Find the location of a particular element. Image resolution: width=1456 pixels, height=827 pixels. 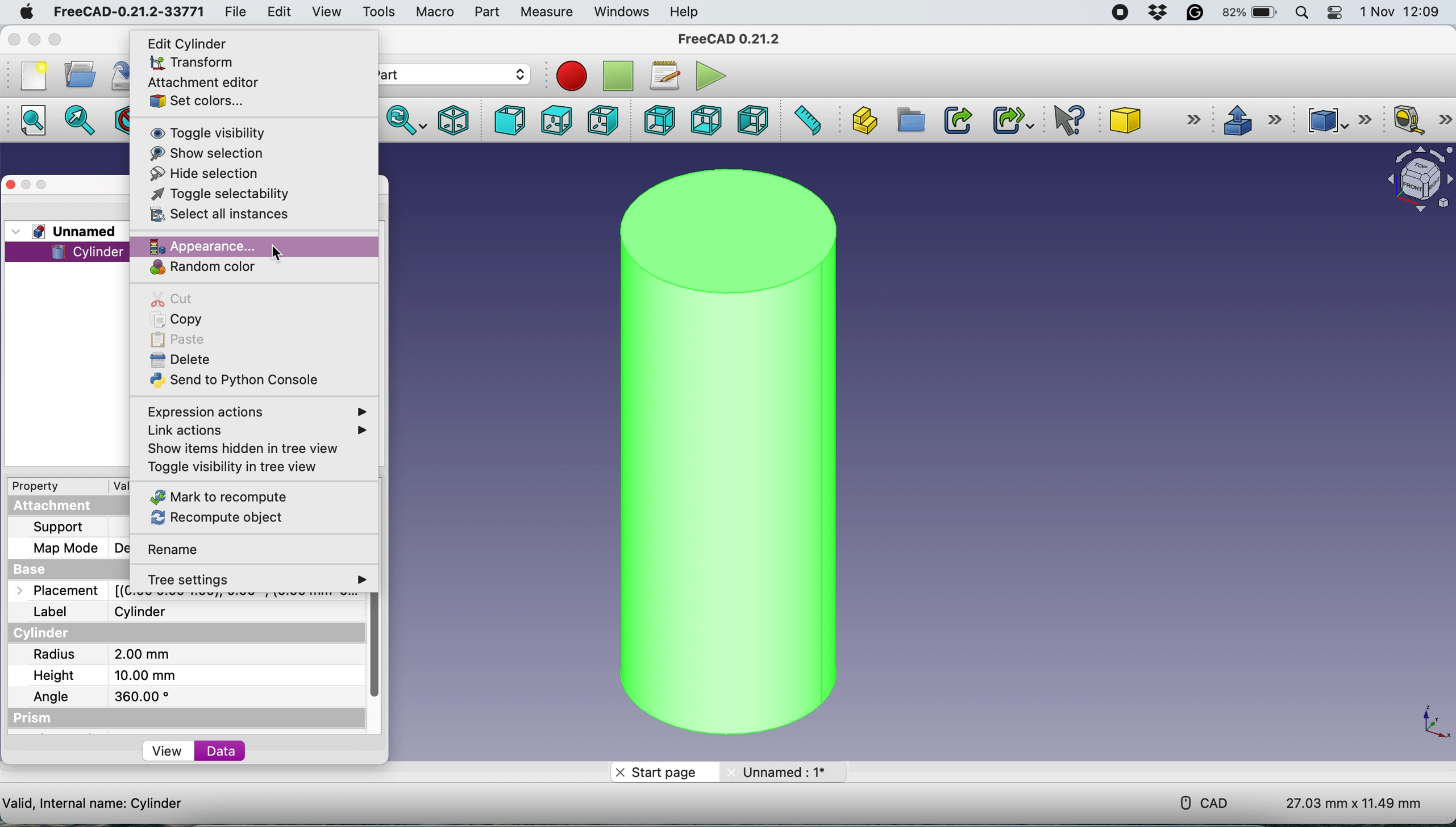

cylinder is located at coordinates (722, 453).